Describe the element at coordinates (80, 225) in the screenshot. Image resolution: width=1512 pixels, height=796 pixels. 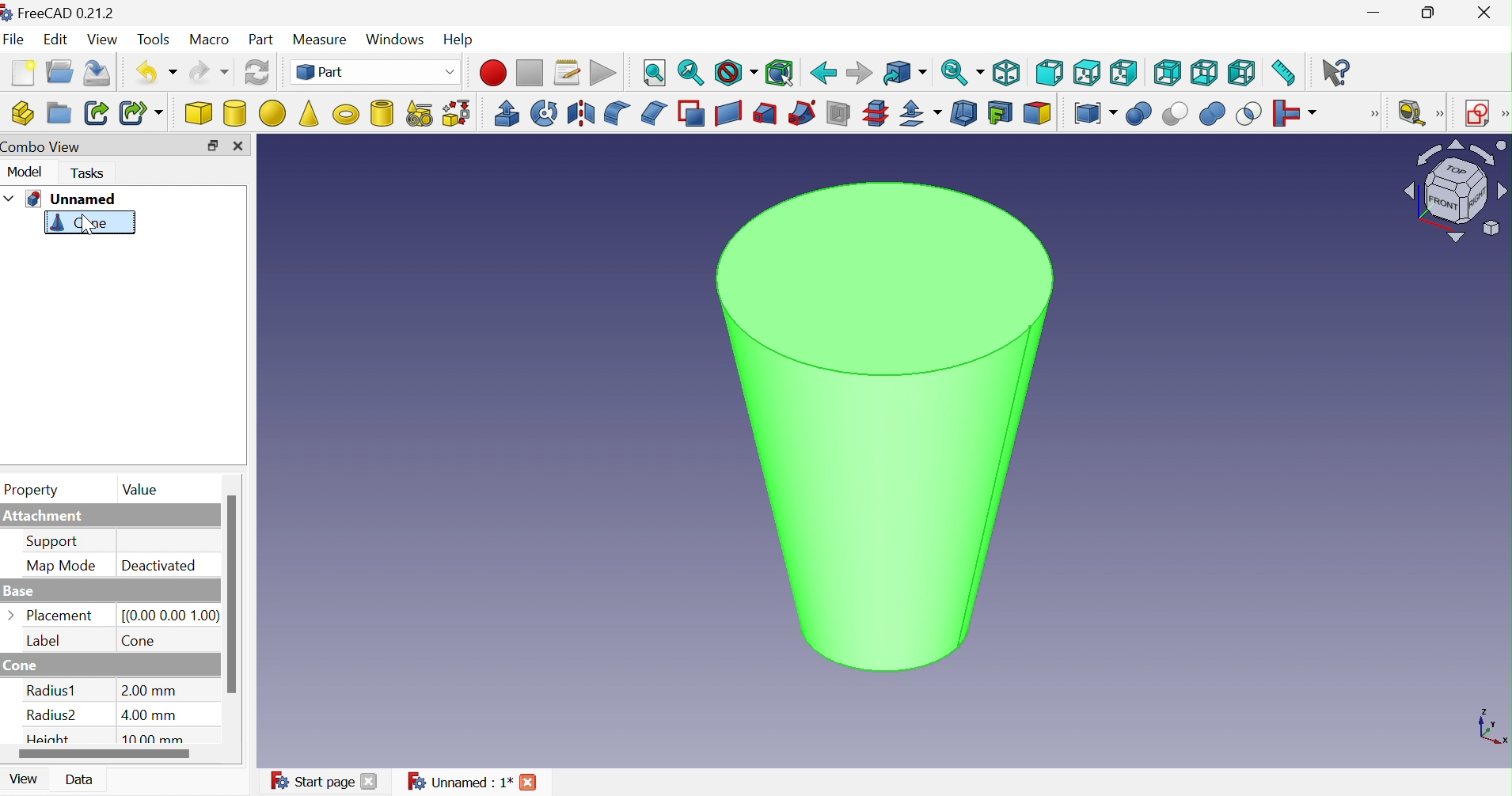
I see `Cone` at that location.